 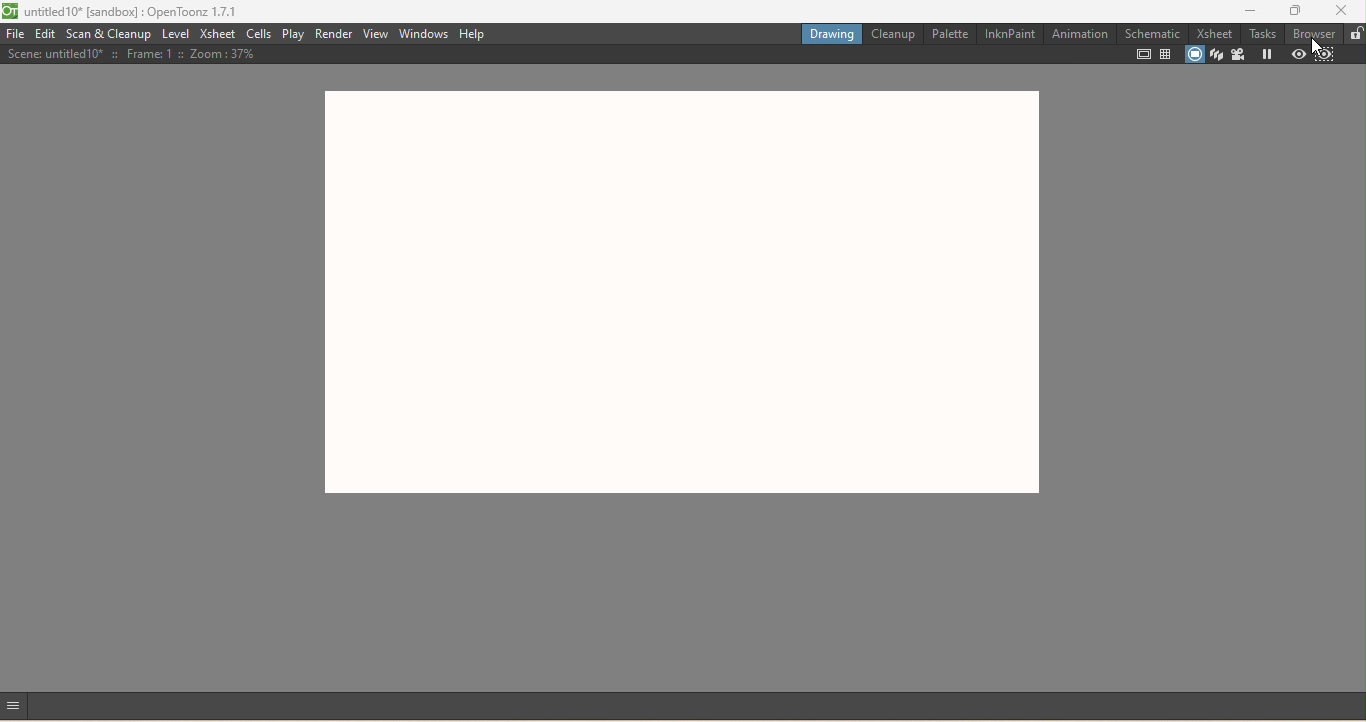 What do you see at coordinates (473, 34) in the screenshot?
I see `Help` at bounding box center [473, 34].